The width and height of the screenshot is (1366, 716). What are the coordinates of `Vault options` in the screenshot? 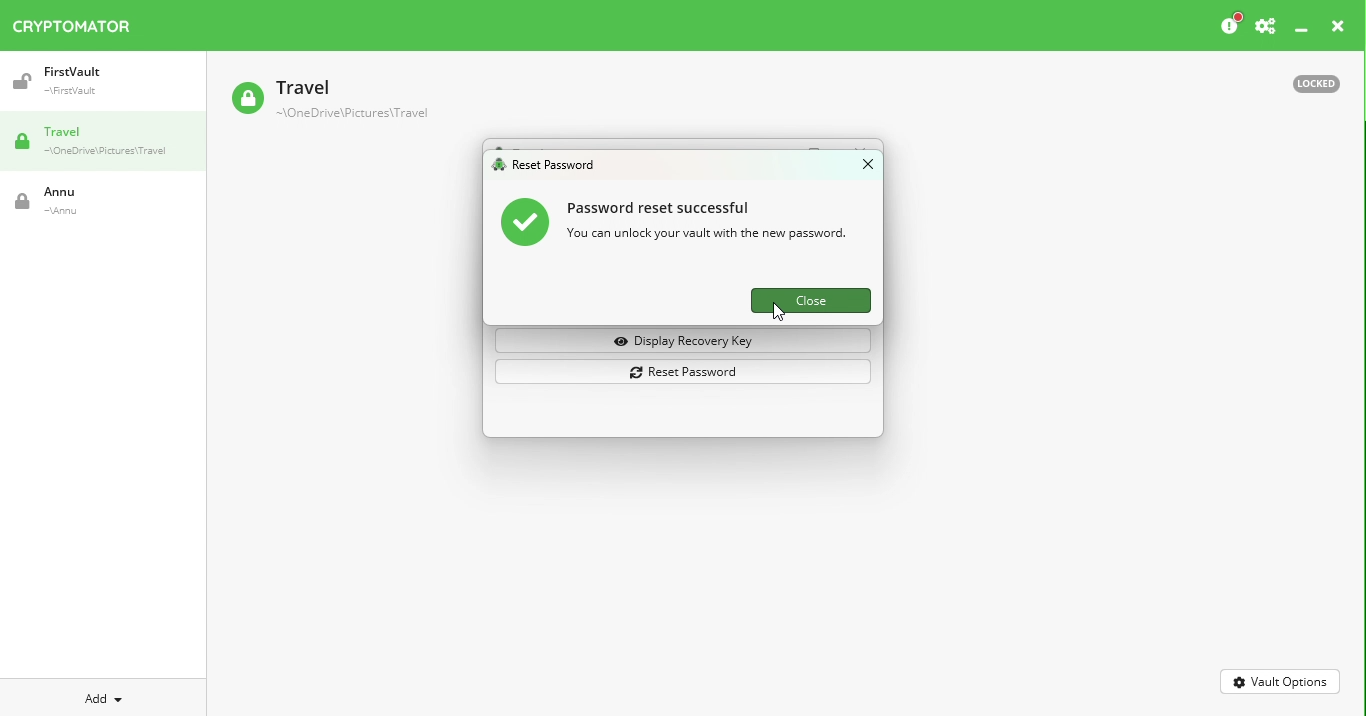 It's located at (1281, 680).